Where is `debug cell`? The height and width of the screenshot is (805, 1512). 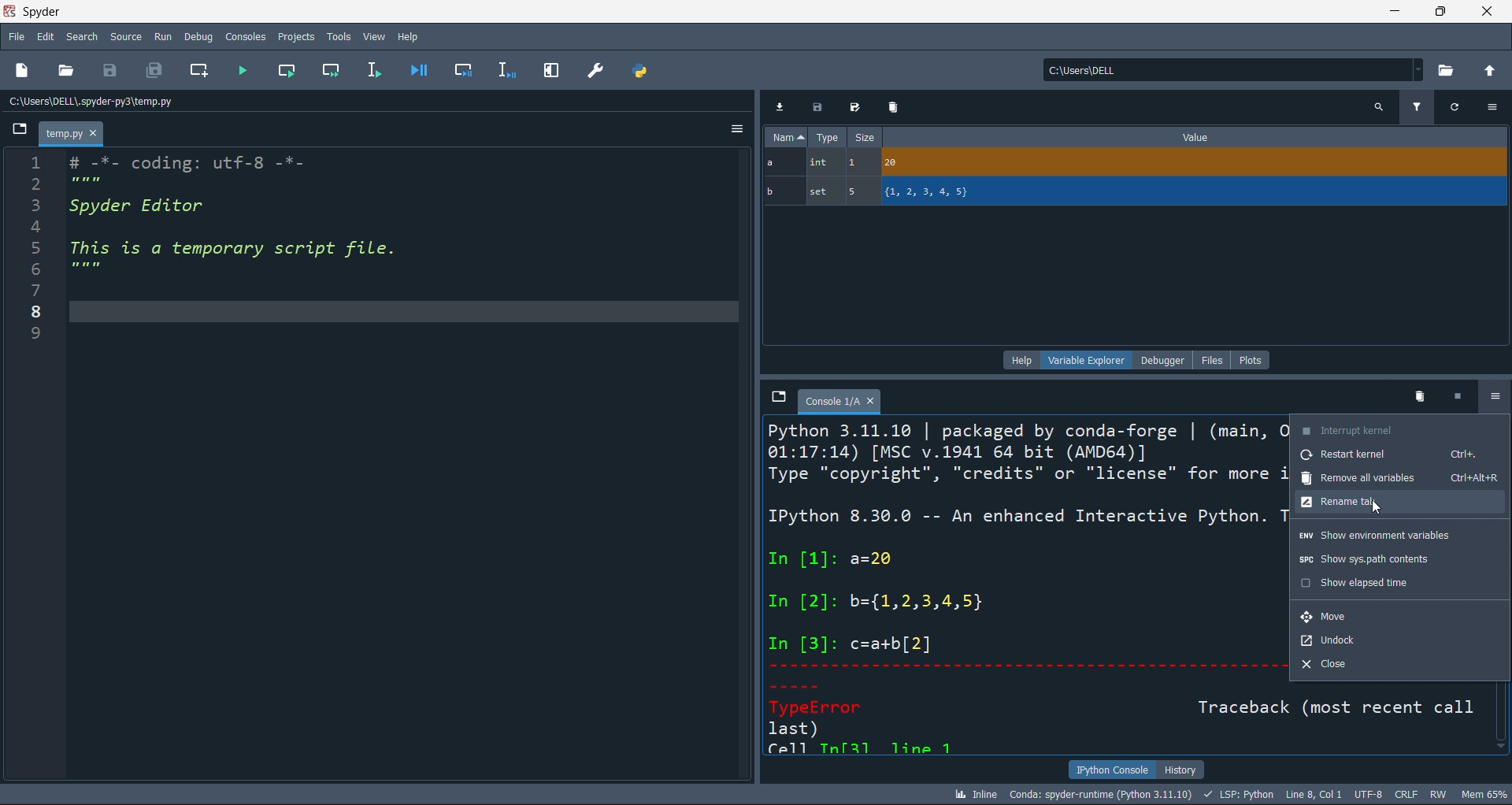 debug cell is located at coordinates (455, 70).